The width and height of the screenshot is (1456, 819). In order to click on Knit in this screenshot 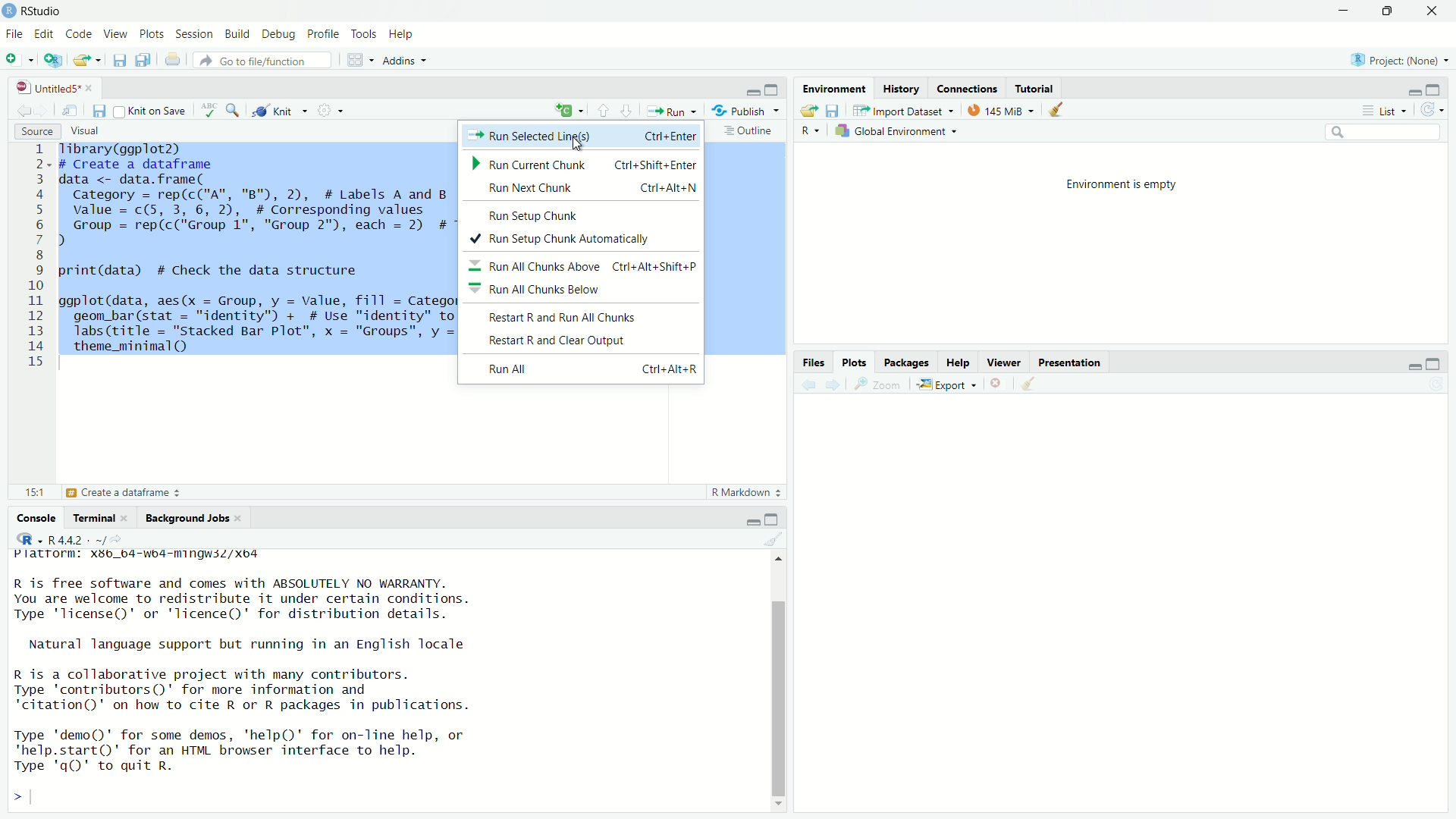, I will do `click(278, 108)`.